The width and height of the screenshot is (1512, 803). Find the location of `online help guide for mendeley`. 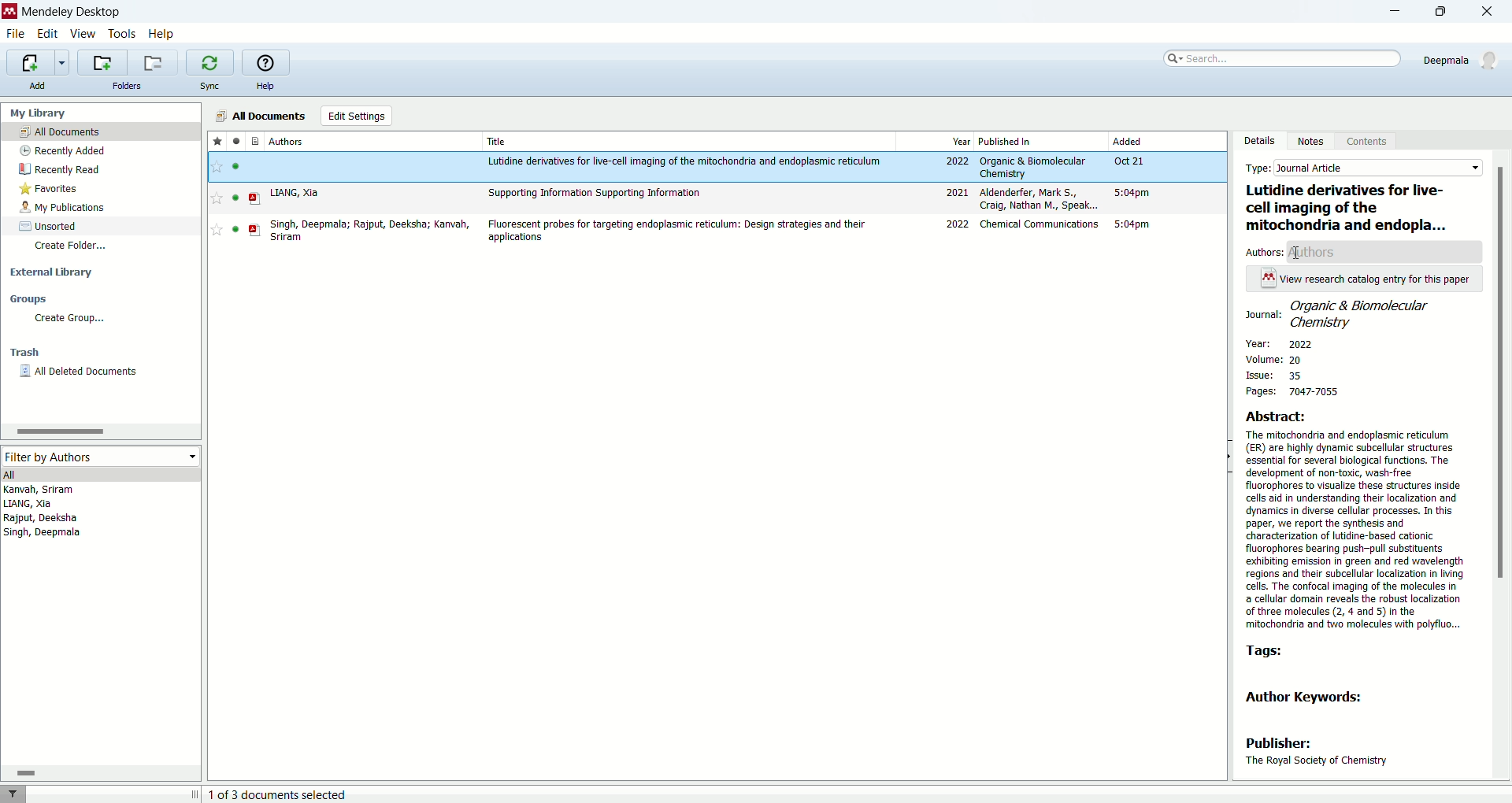

online help guide for mendeley is located at coordinates (266, 62).